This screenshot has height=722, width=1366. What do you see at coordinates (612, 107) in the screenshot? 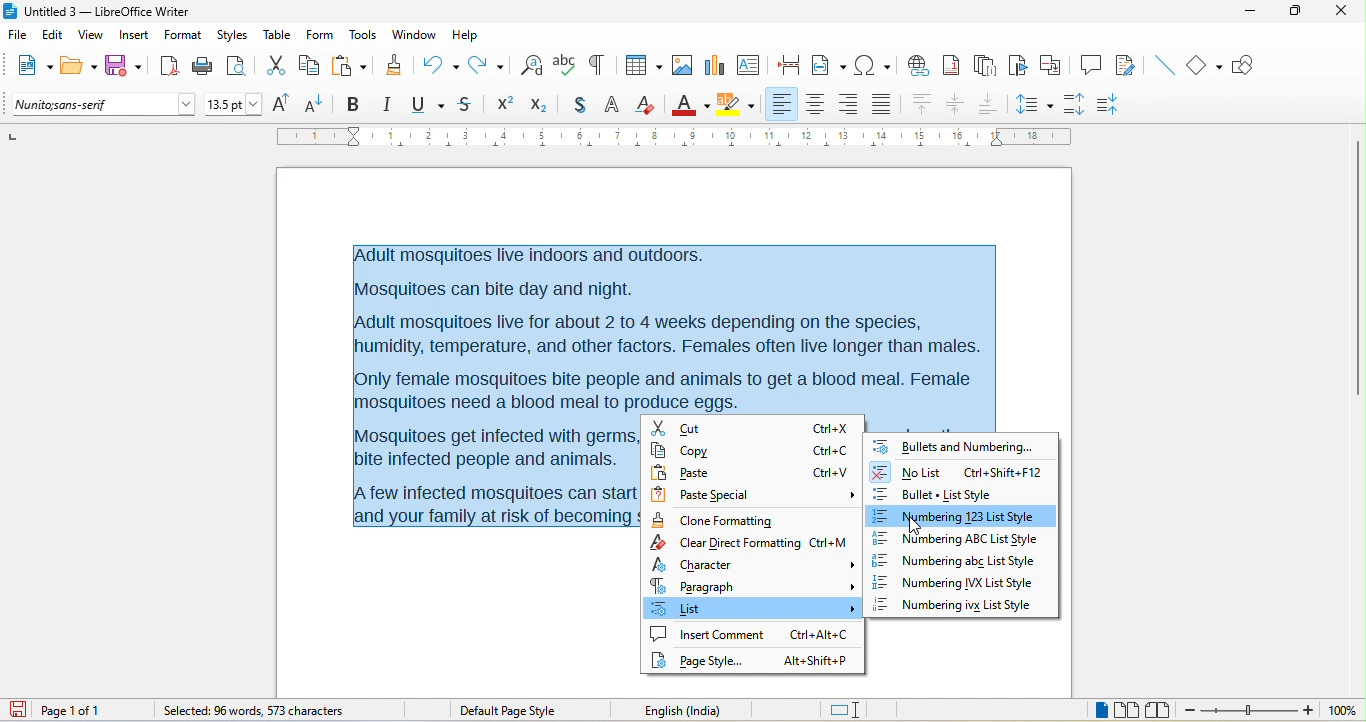
I see `outline font effect` at bounding box center [612, 107].